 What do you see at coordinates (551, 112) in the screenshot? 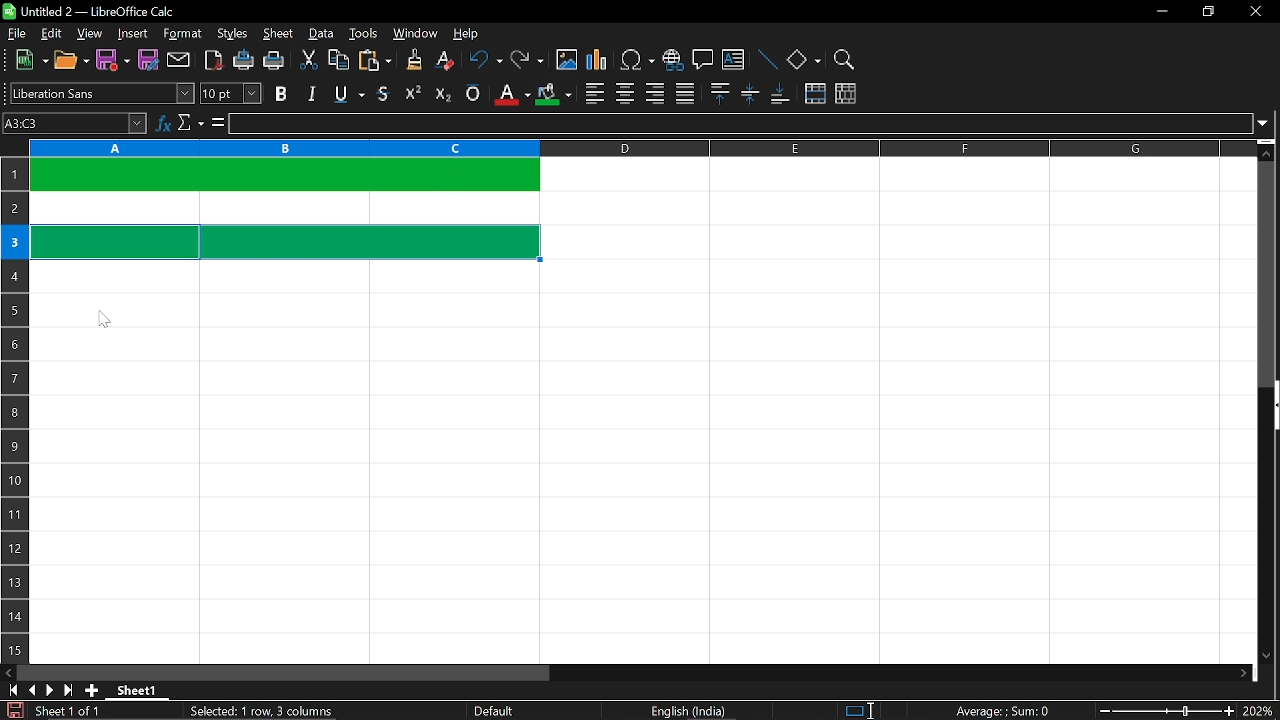
I see `Cursor` at bounding box center [551, 112].